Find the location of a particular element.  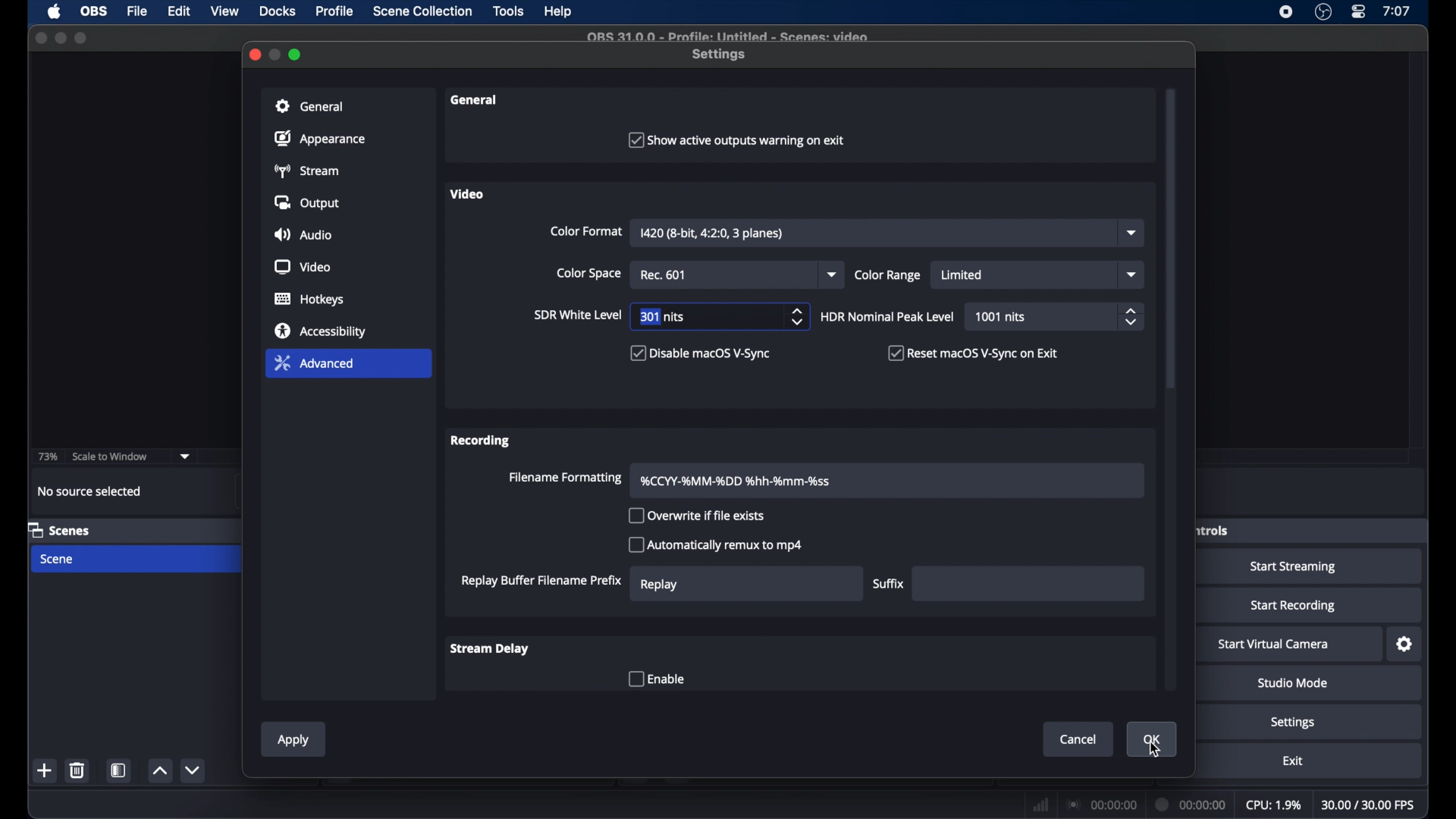

scroll box is located at coordinates (1172, 239).